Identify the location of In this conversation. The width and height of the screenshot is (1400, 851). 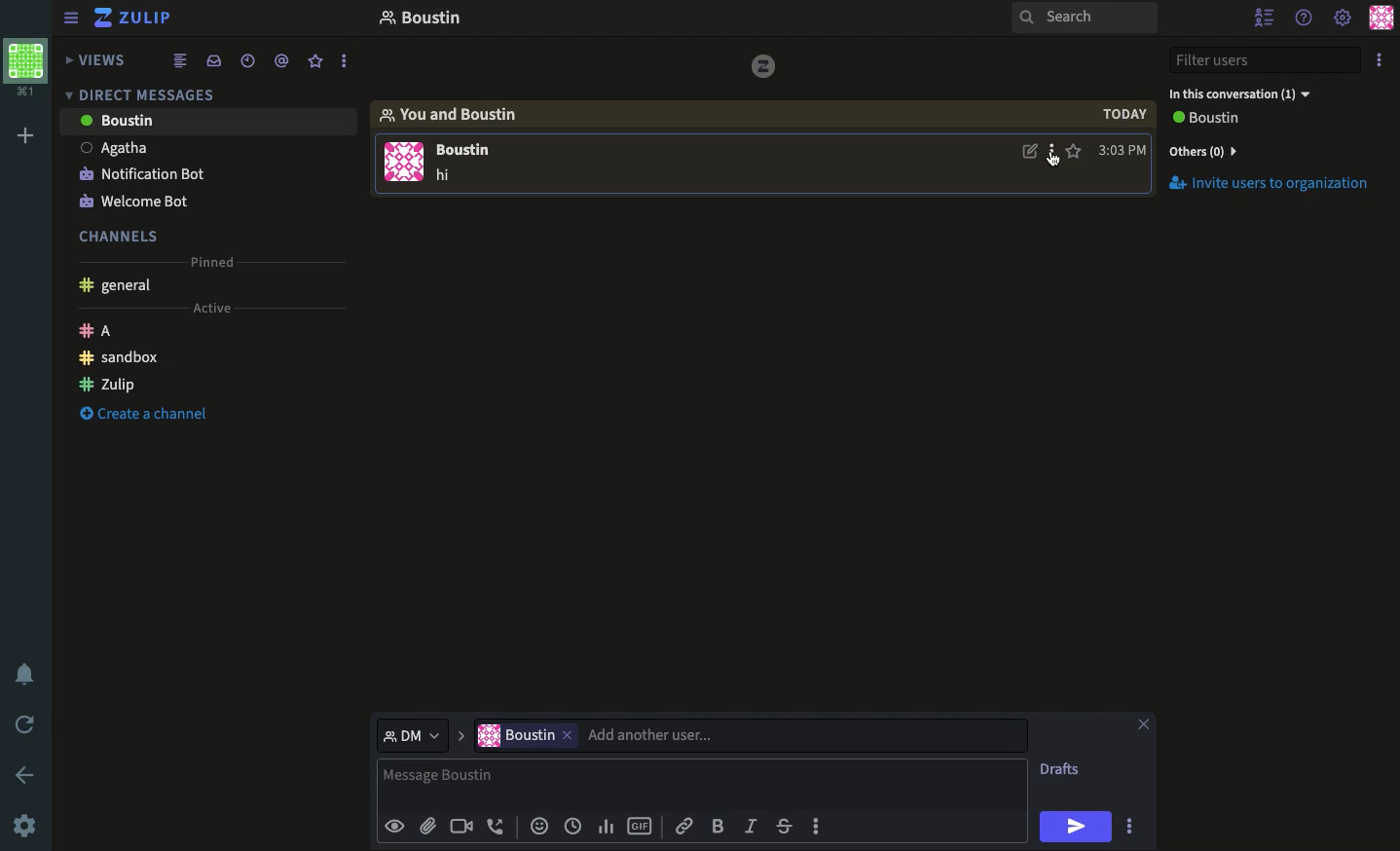
(1254, 92).